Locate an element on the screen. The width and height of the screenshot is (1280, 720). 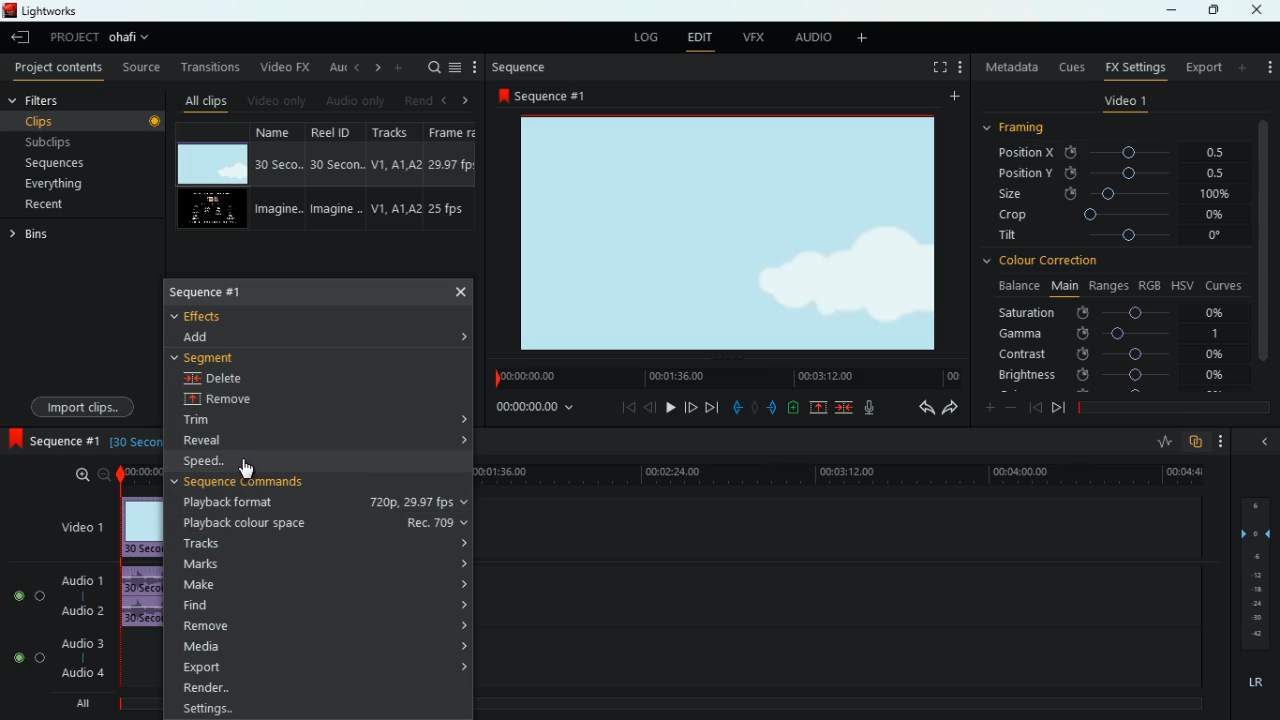
more is located at coordinates (960, 67).